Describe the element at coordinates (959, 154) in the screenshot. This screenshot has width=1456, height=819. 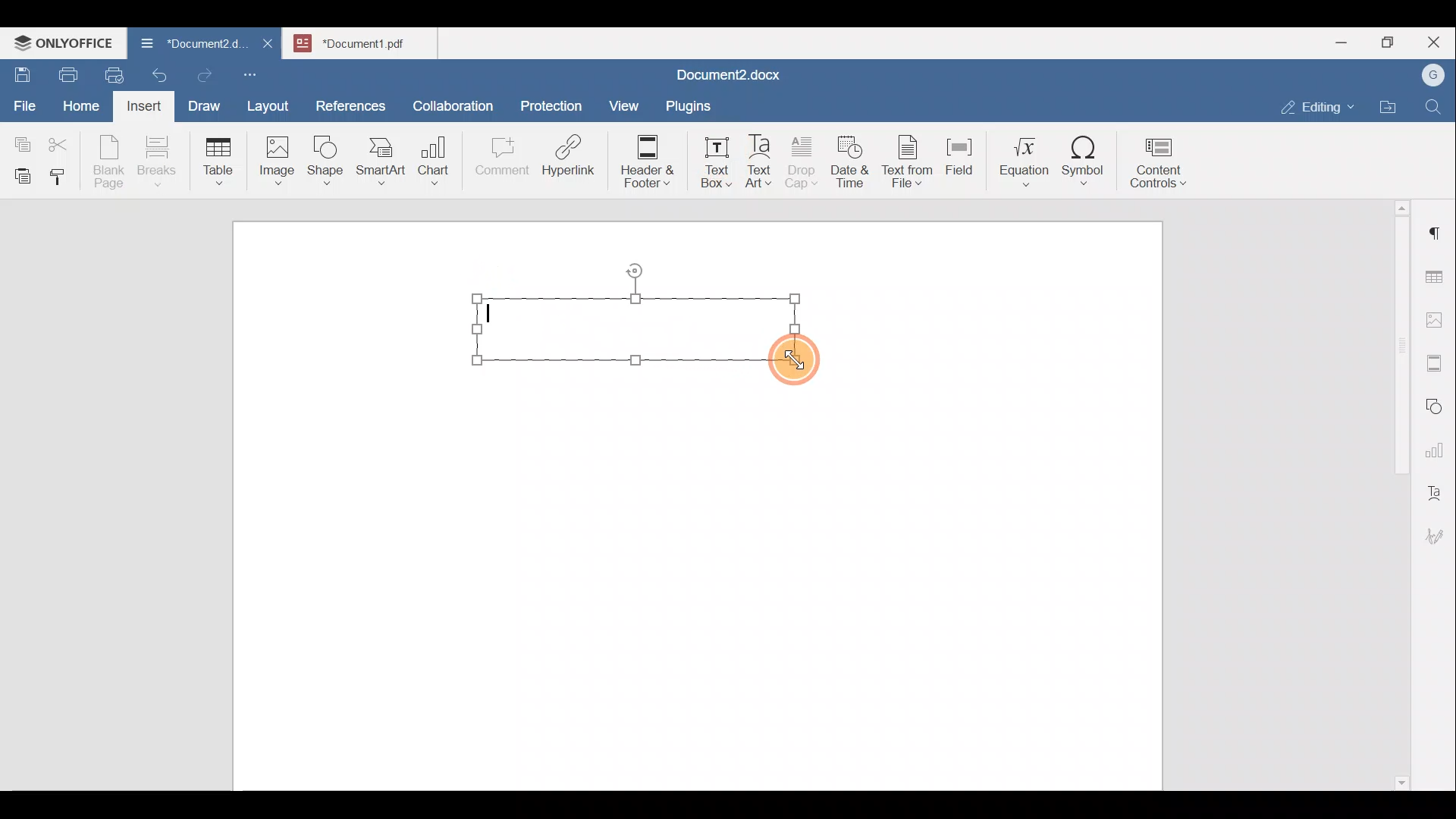
I see `Field` at that location.